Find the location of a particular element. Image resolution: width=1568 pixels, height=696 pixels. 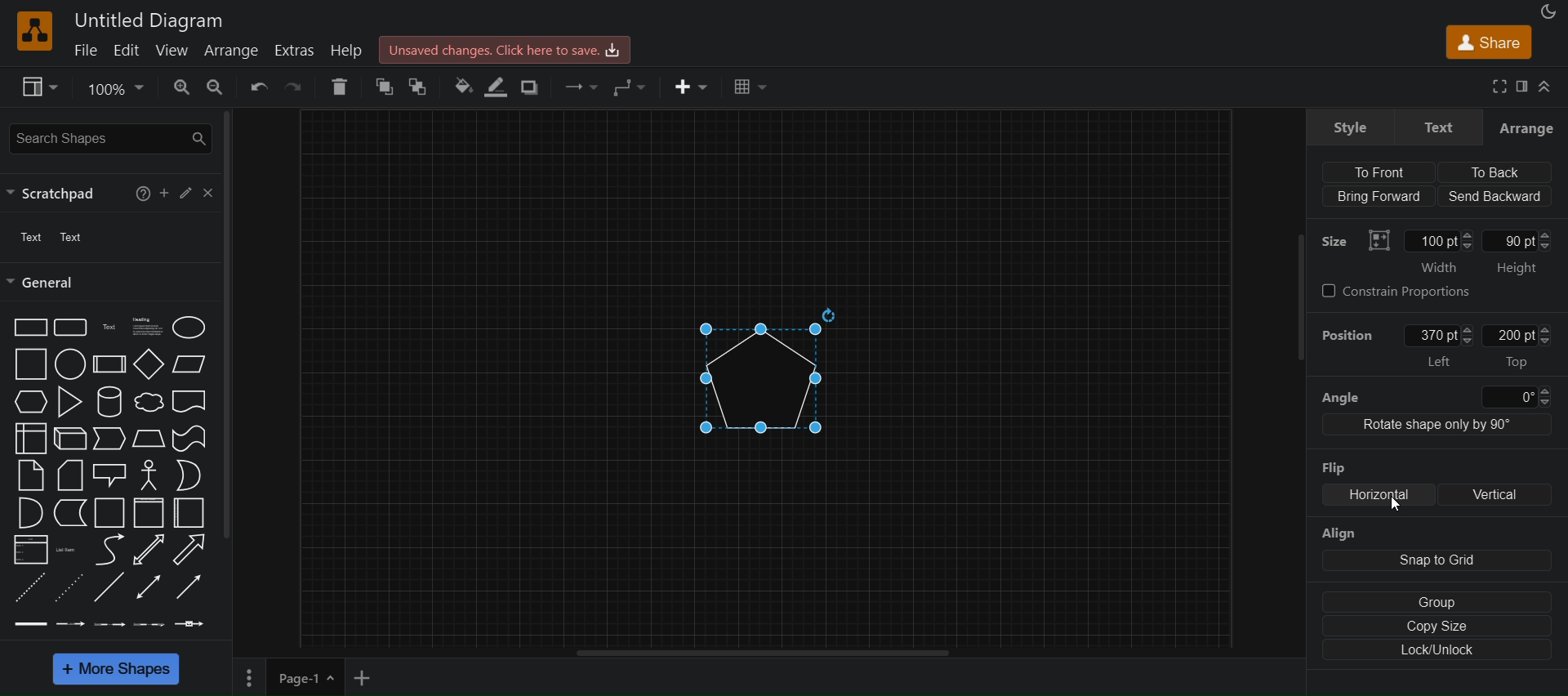

vertical scroll bar is located at coordinates (225, 327).